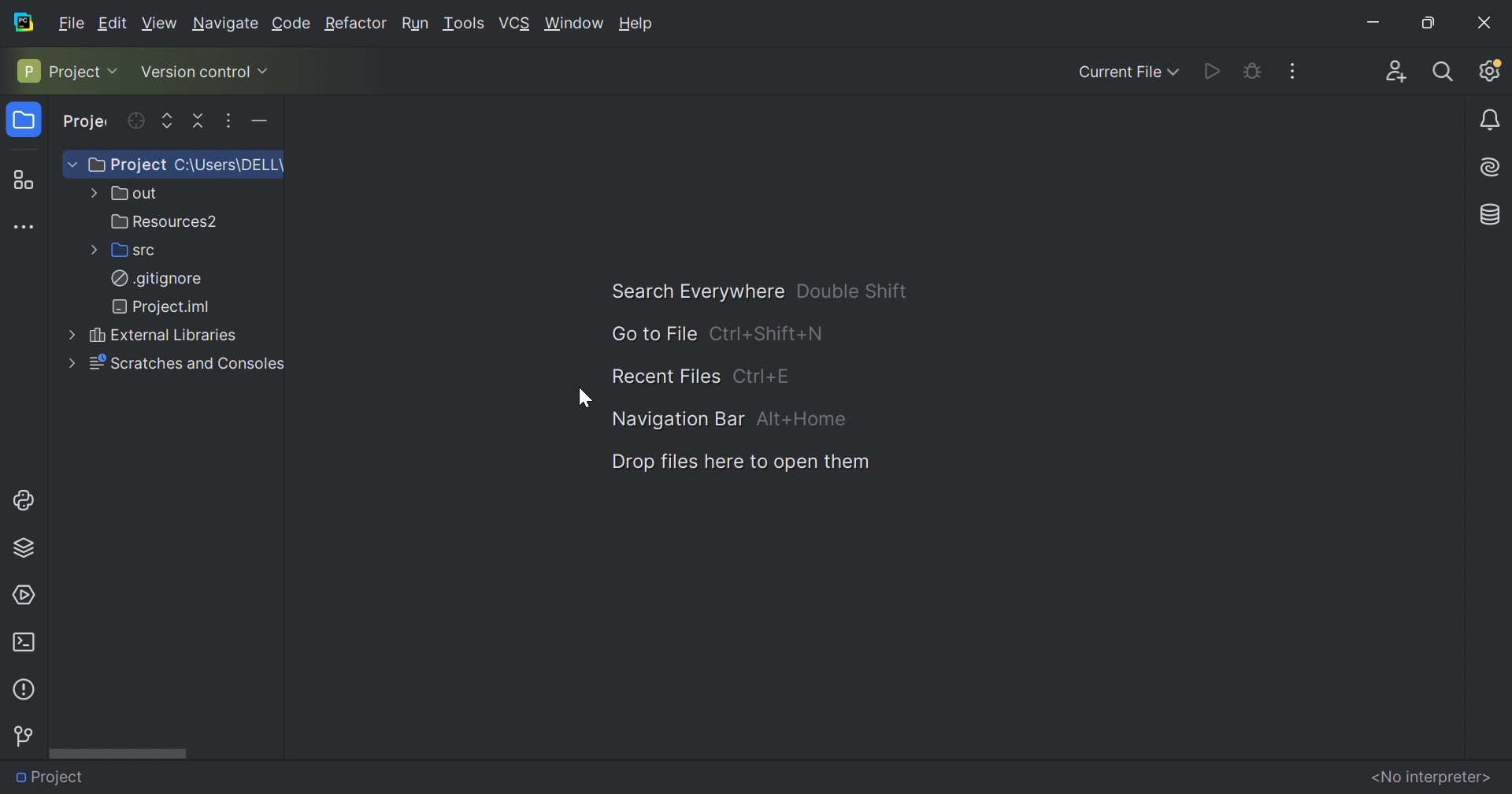 Image resolution: width=1512 pixels, height=794 pixels. I want to click on .gitignore, so click(155, 279).